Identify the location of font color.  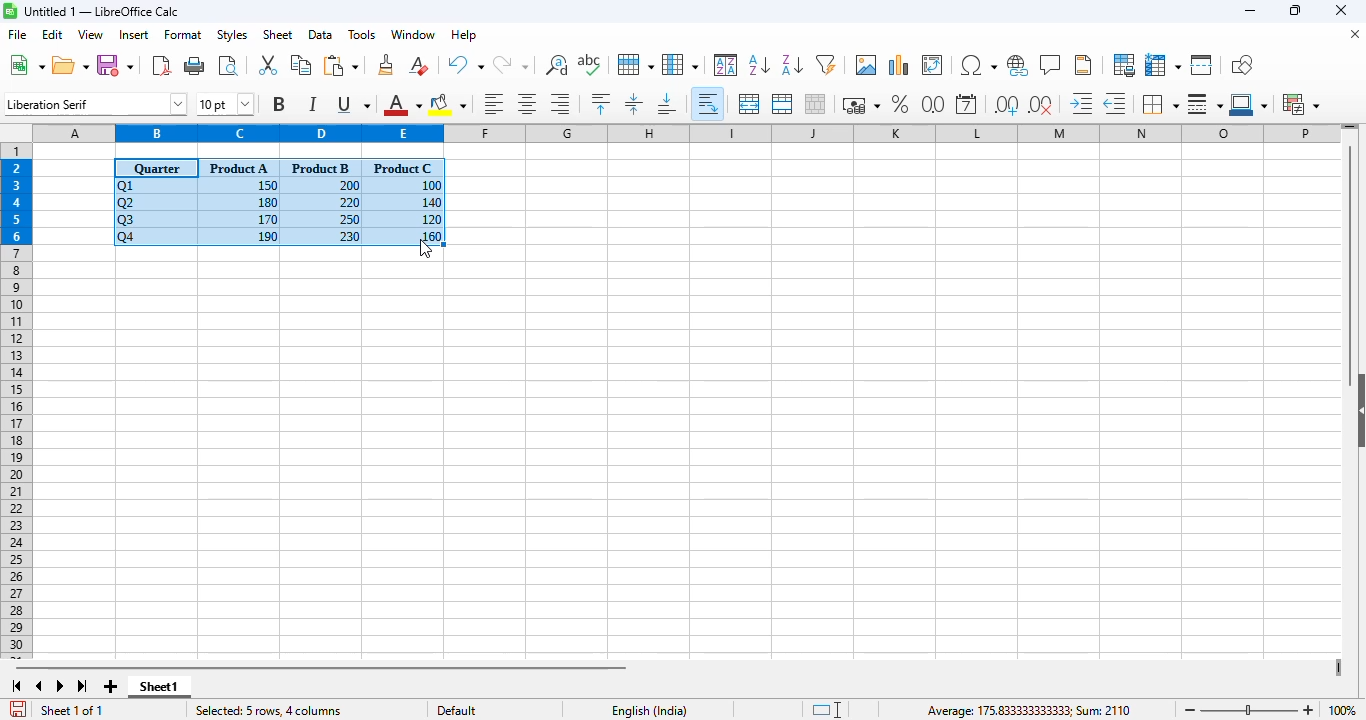
(402, 104).